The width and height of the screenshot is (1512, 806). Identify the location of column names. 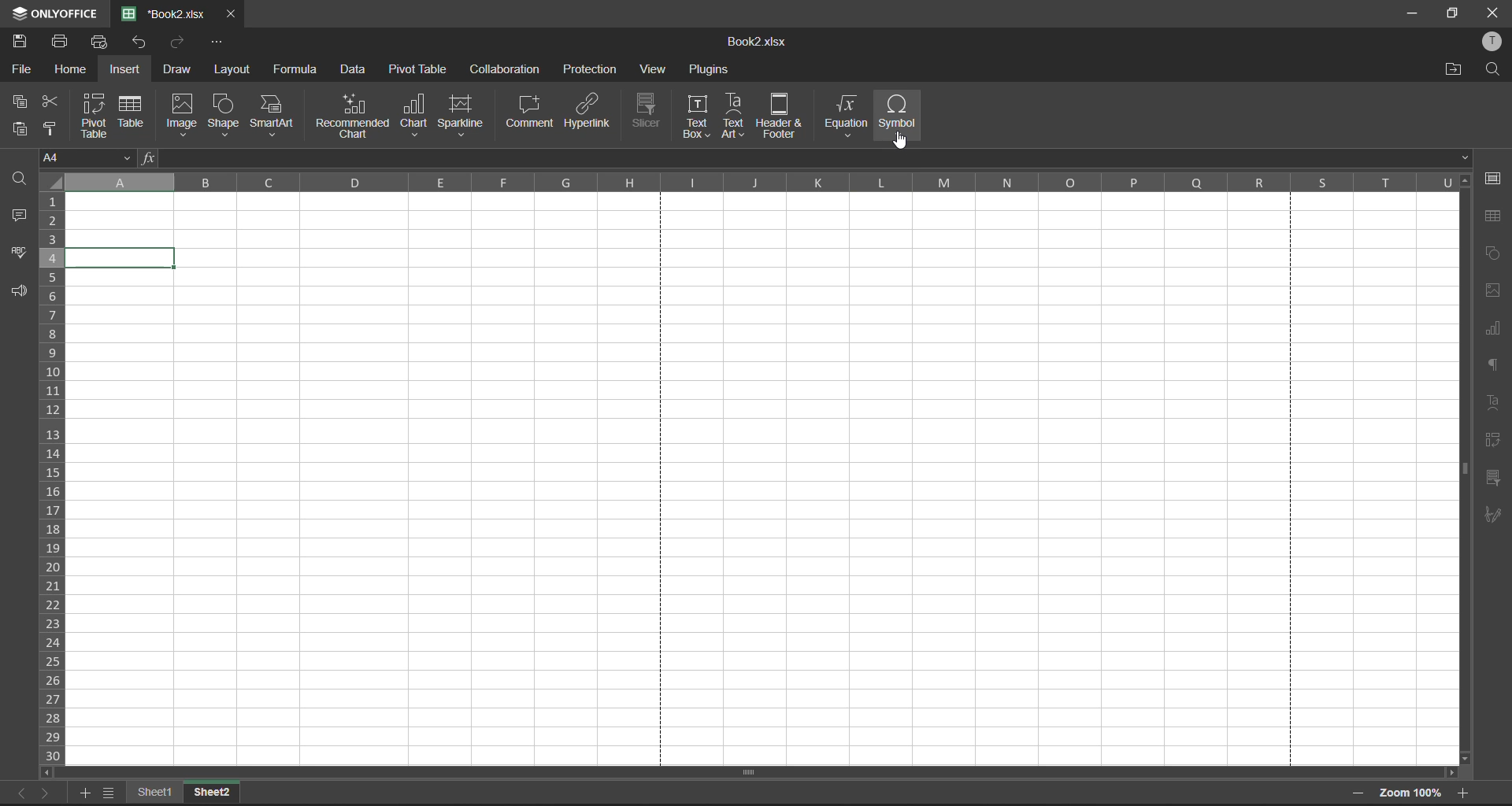
(761, 182).